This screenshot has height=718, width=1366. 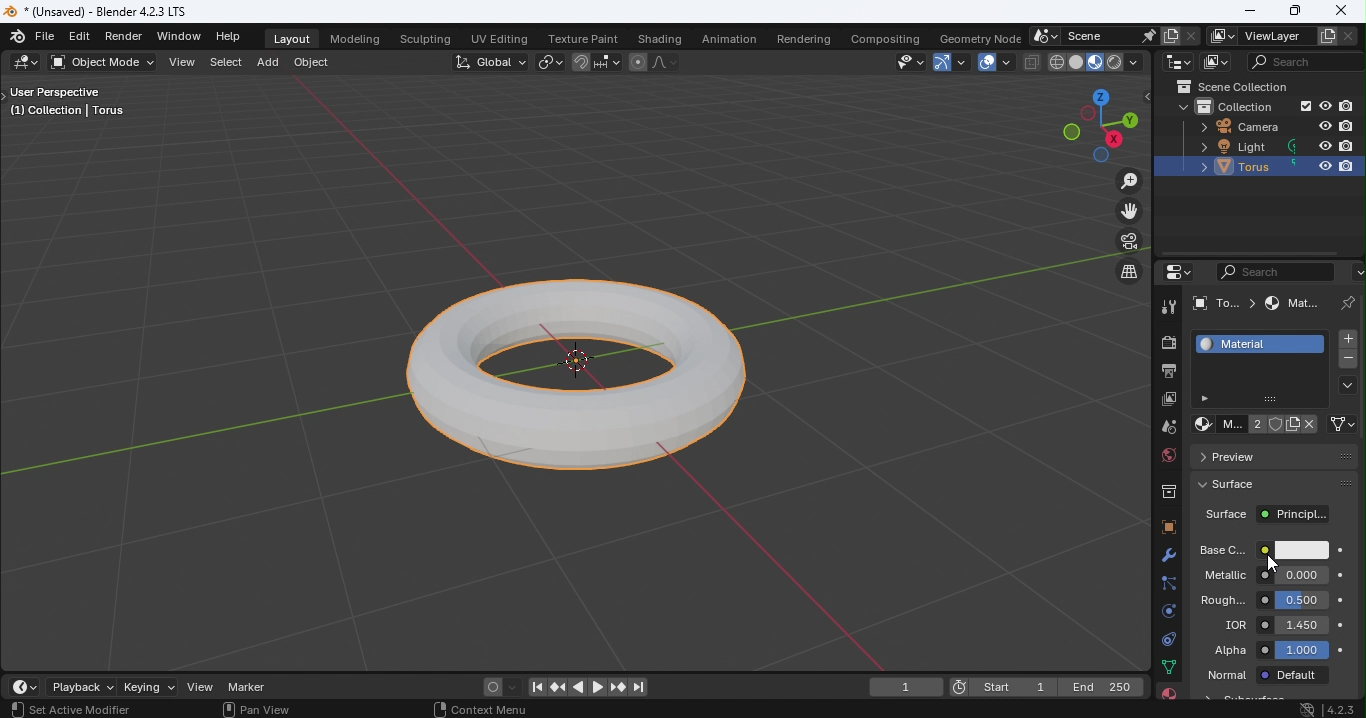 What do you see at coordinates (1260, 576) in the screenshot?
I see `Metallic` at bounding box center [1260, 576].